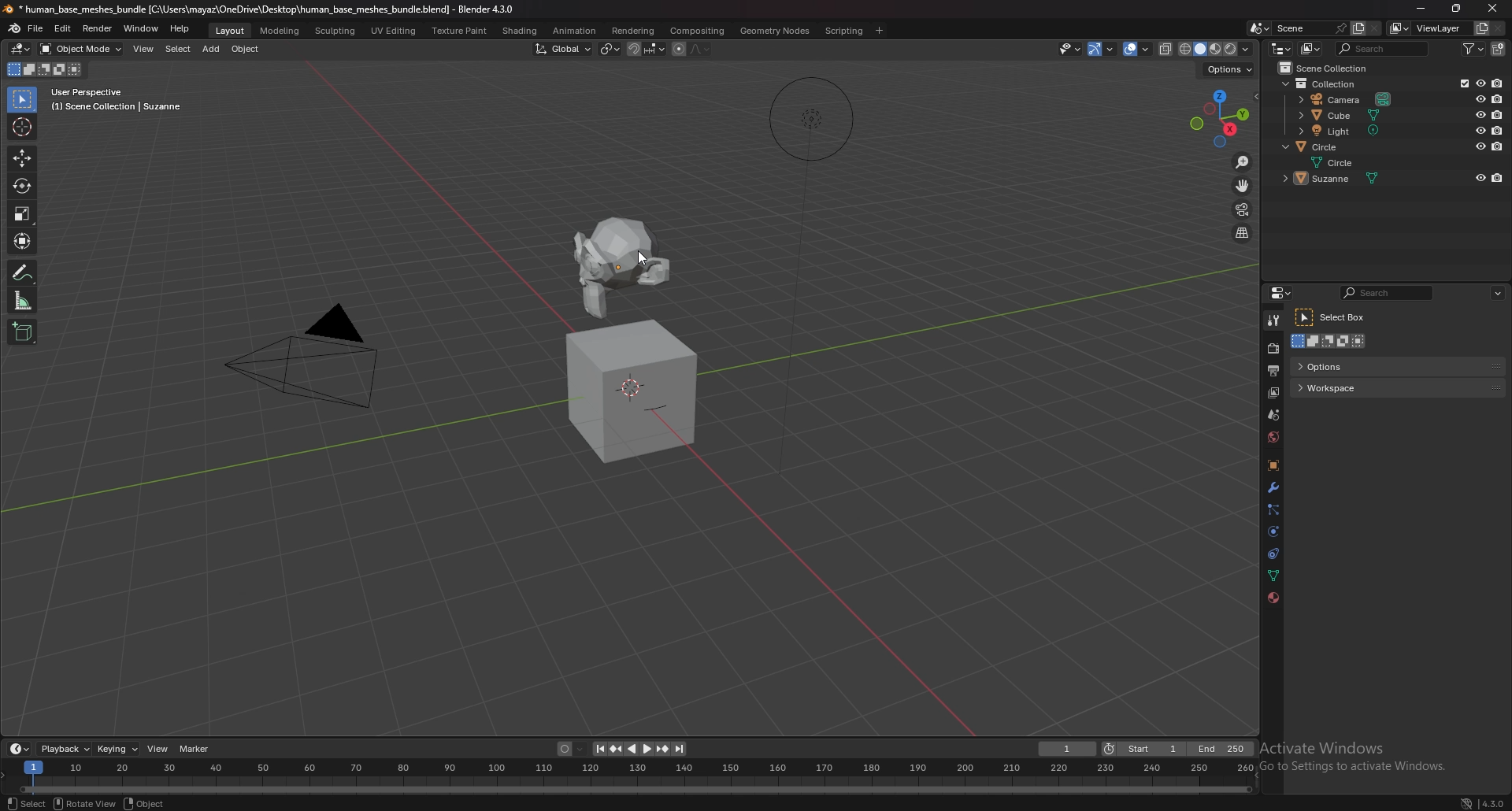  What do you see at coordinates (1496, 7) in the screenshot?
I see `close` at bounding box center [1496, 7].